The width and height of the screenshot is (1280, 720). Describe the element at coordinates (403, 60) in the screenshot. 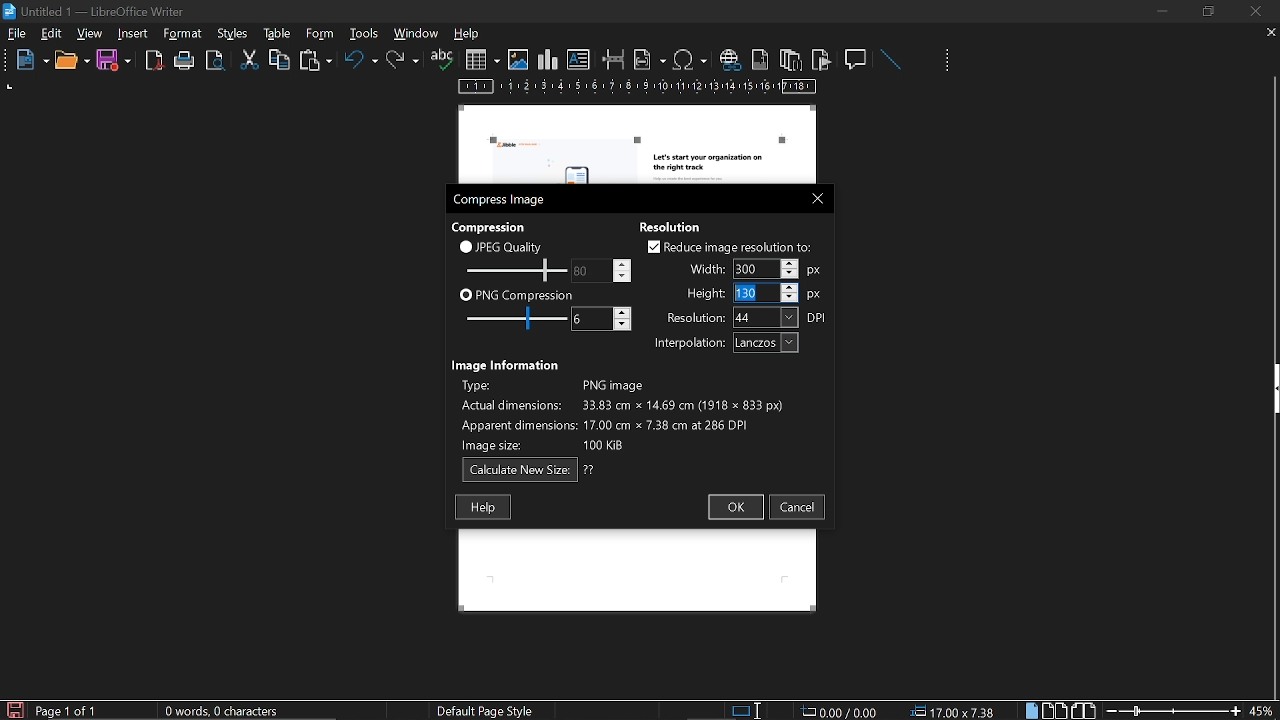

I see `redo` at that location.